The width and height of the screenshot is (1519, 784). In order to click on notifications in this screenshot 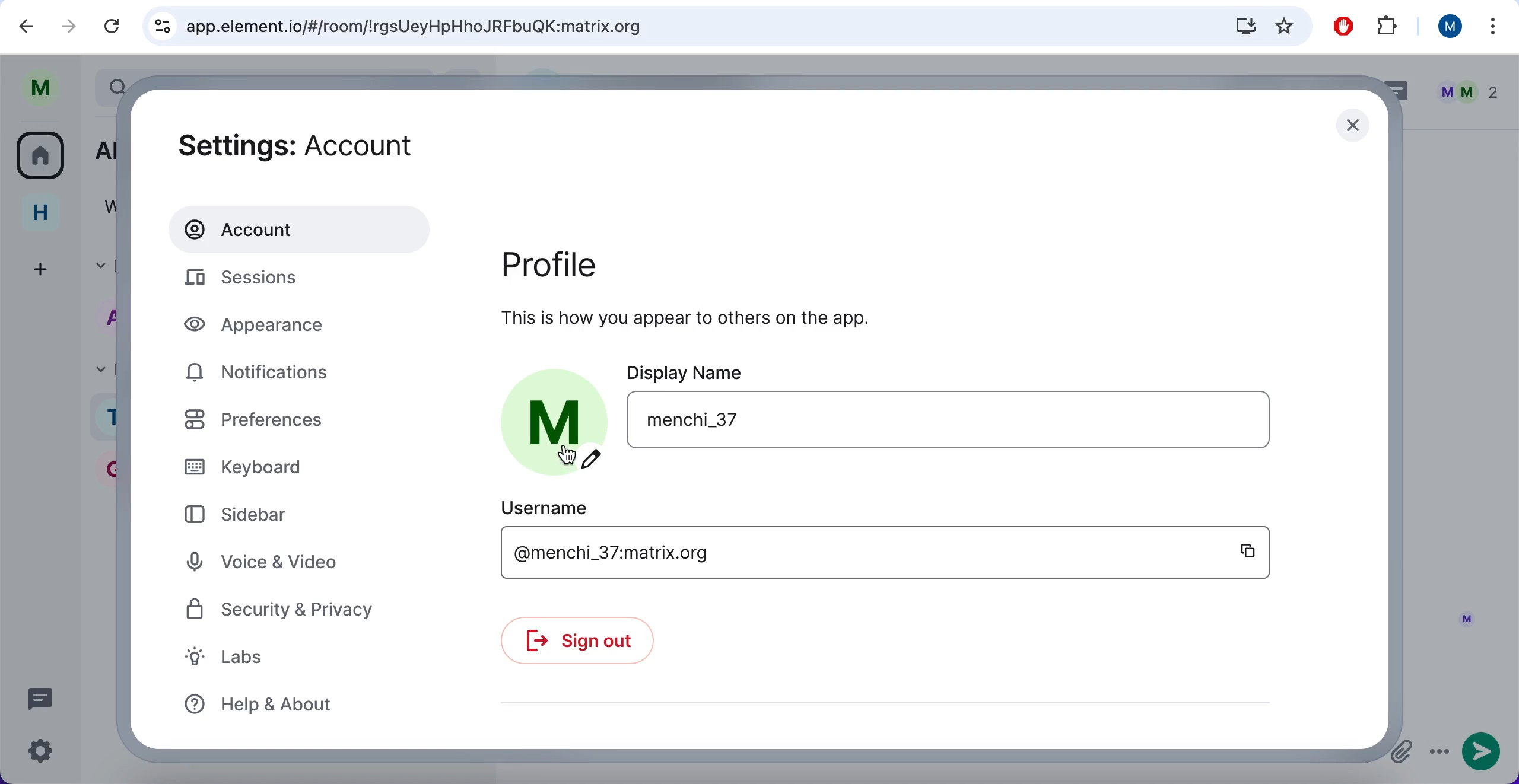, I will do `click(281, 375)`.